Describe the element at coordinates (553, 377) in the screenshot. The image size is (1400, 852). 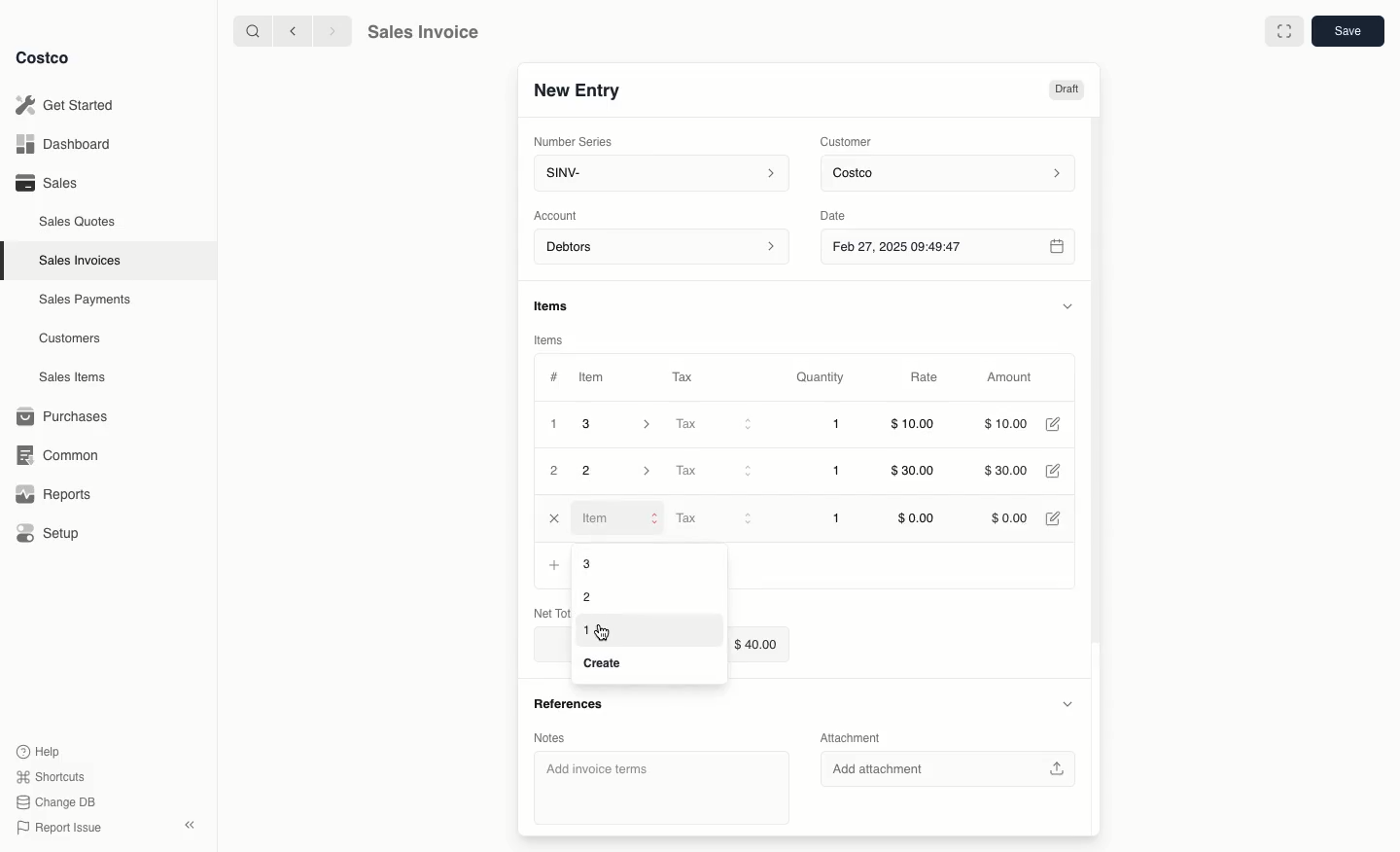
I see `Hashtag` at that location.